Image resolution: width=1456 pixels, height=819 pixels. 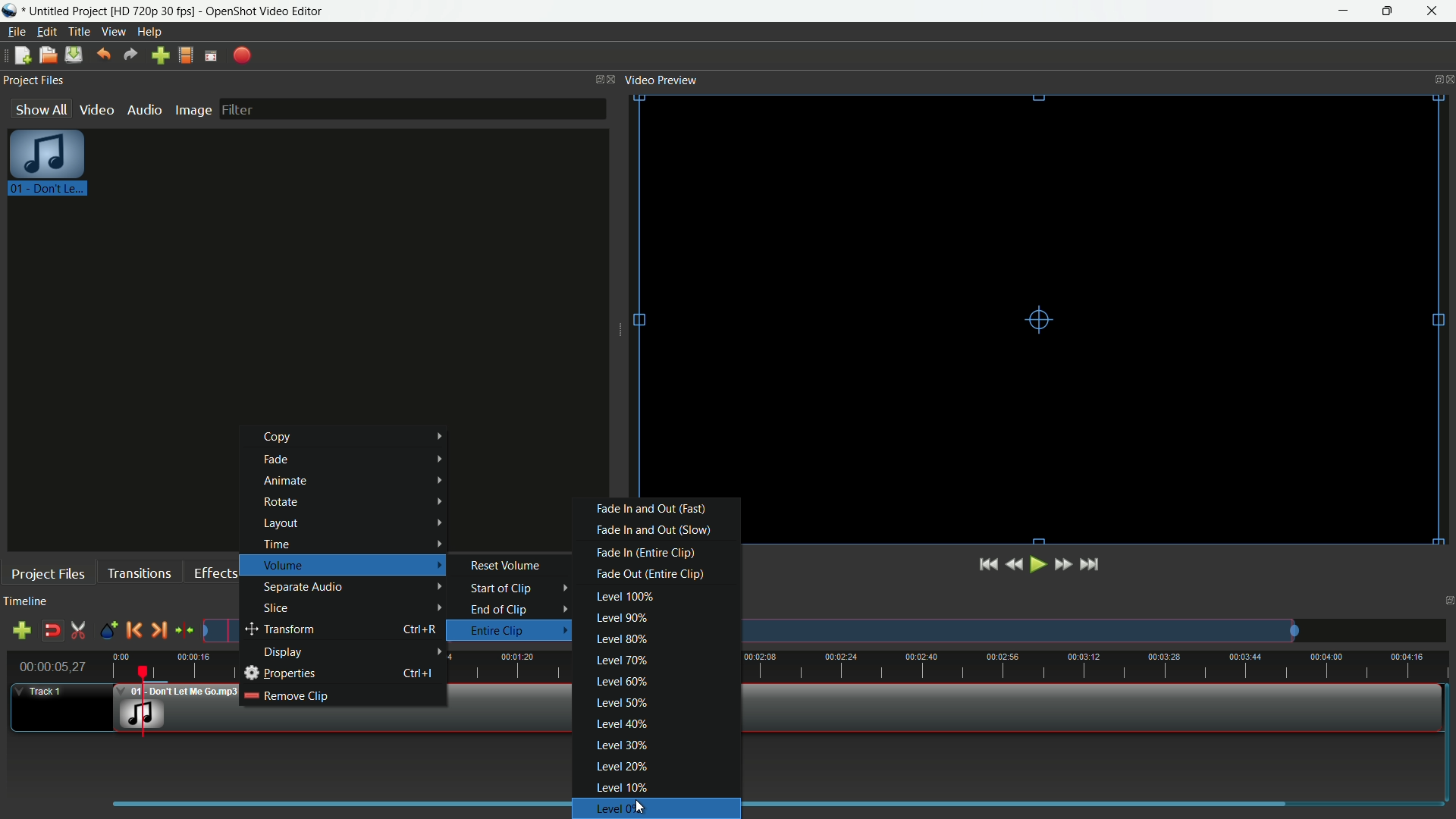 I want to click on close app, so click(x=1434, y=12).